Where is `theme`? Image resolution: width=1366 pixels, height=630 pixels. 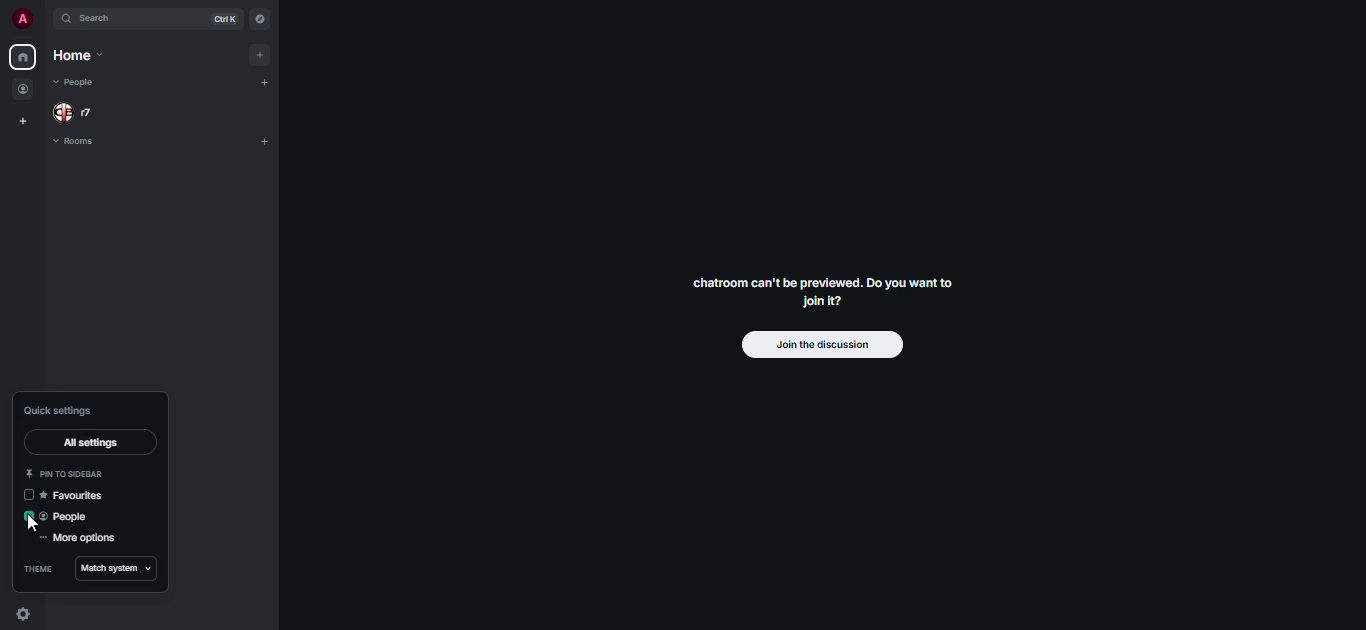
theme is located at coordinates (37, 569).